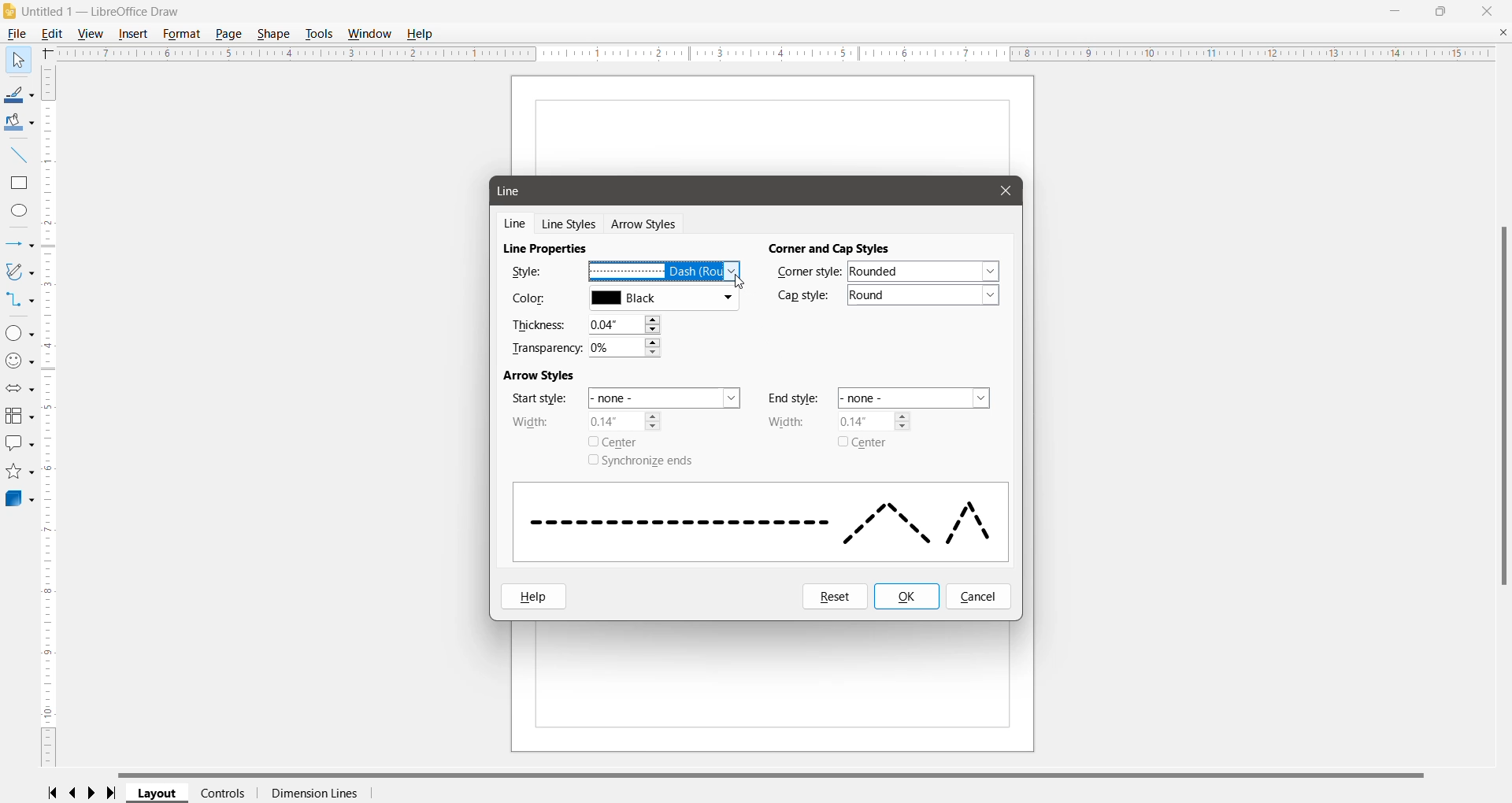 This screenshot has height=803, width=1512. What do you see at coordinates (20, 60) in the screenshot?
I see `Select Tool` at bounding box center [20, 60].